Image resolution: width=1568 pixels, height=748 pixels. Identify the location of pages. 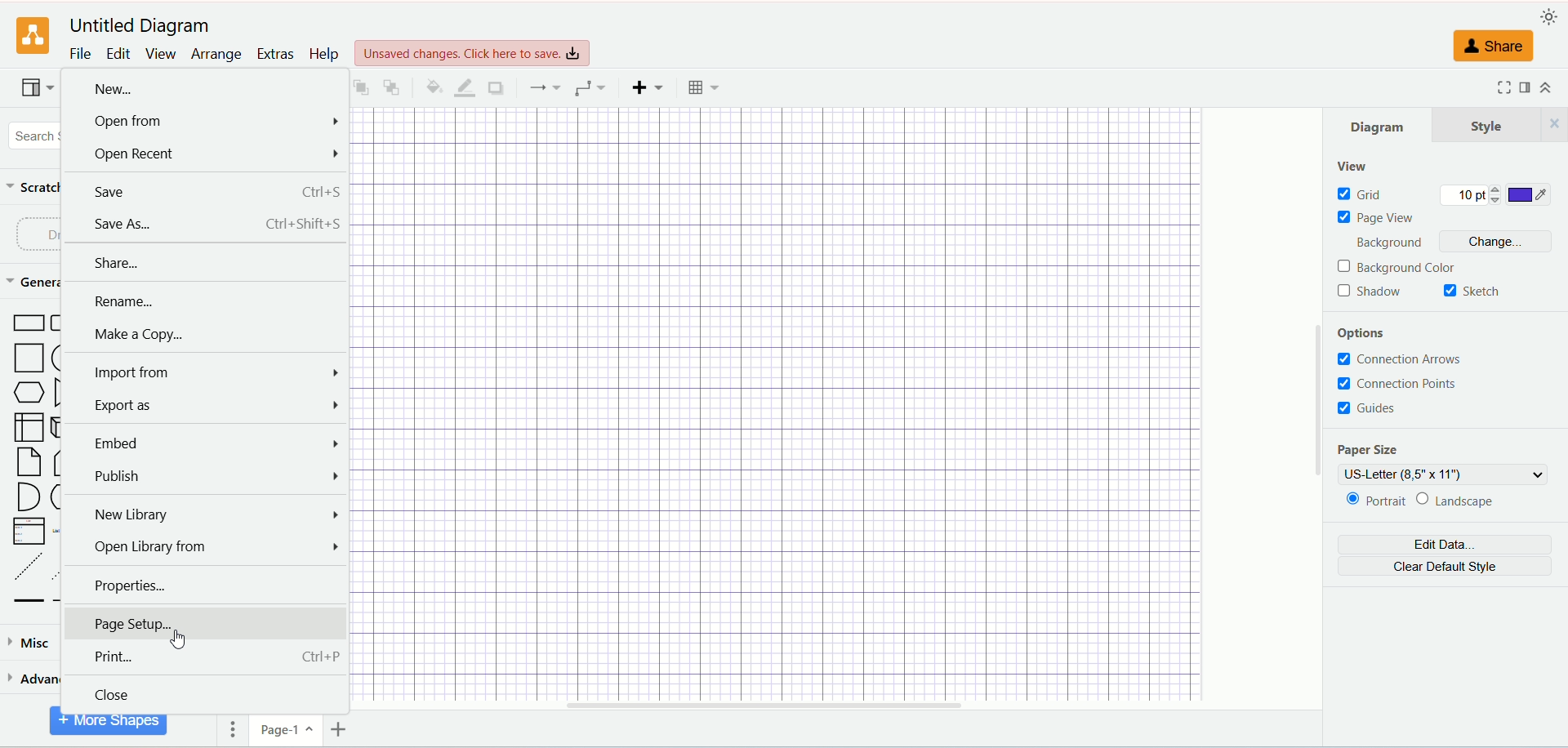
(229, 732).